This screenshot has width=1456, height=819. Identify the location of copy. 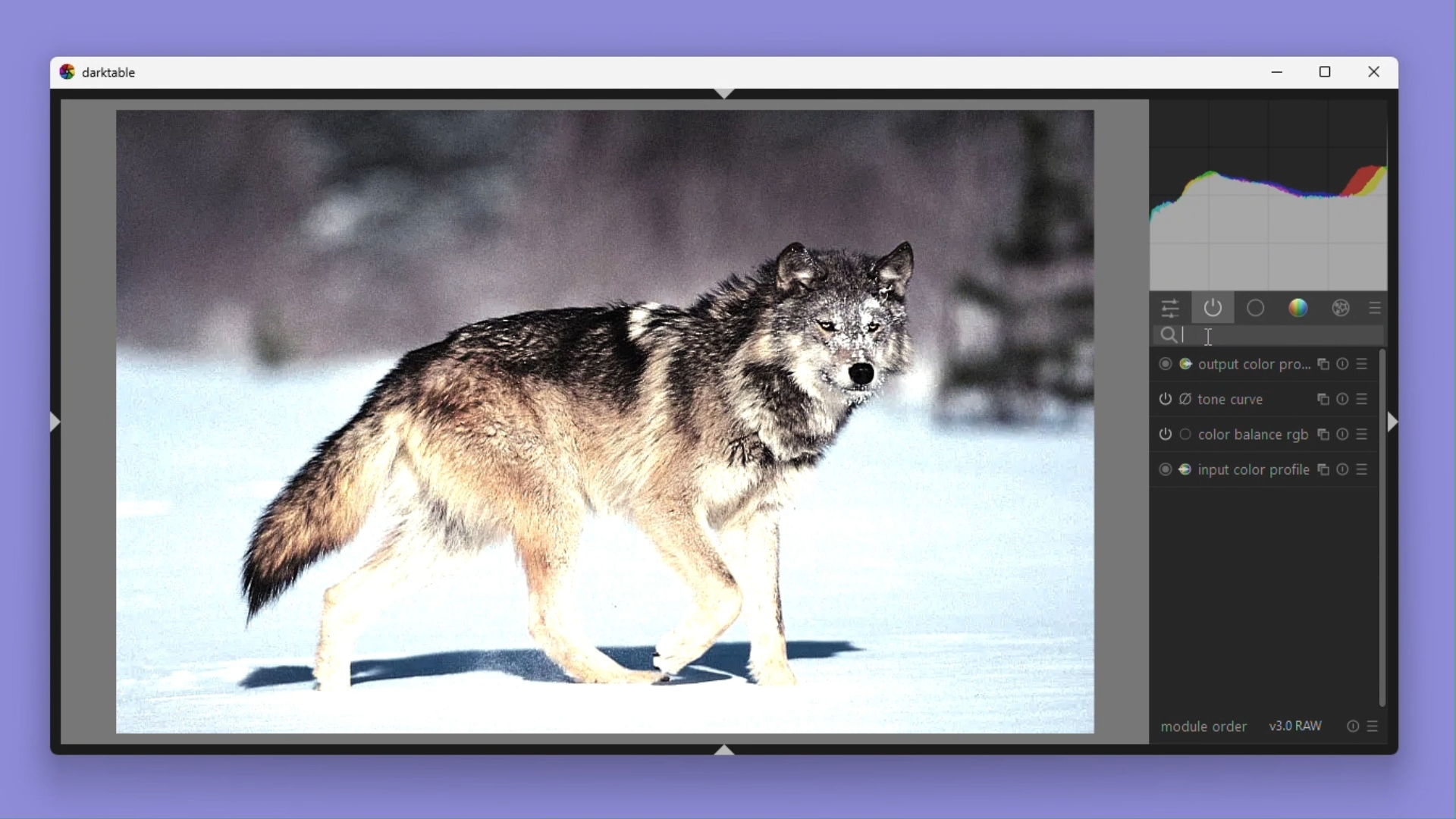
(1323, 434).